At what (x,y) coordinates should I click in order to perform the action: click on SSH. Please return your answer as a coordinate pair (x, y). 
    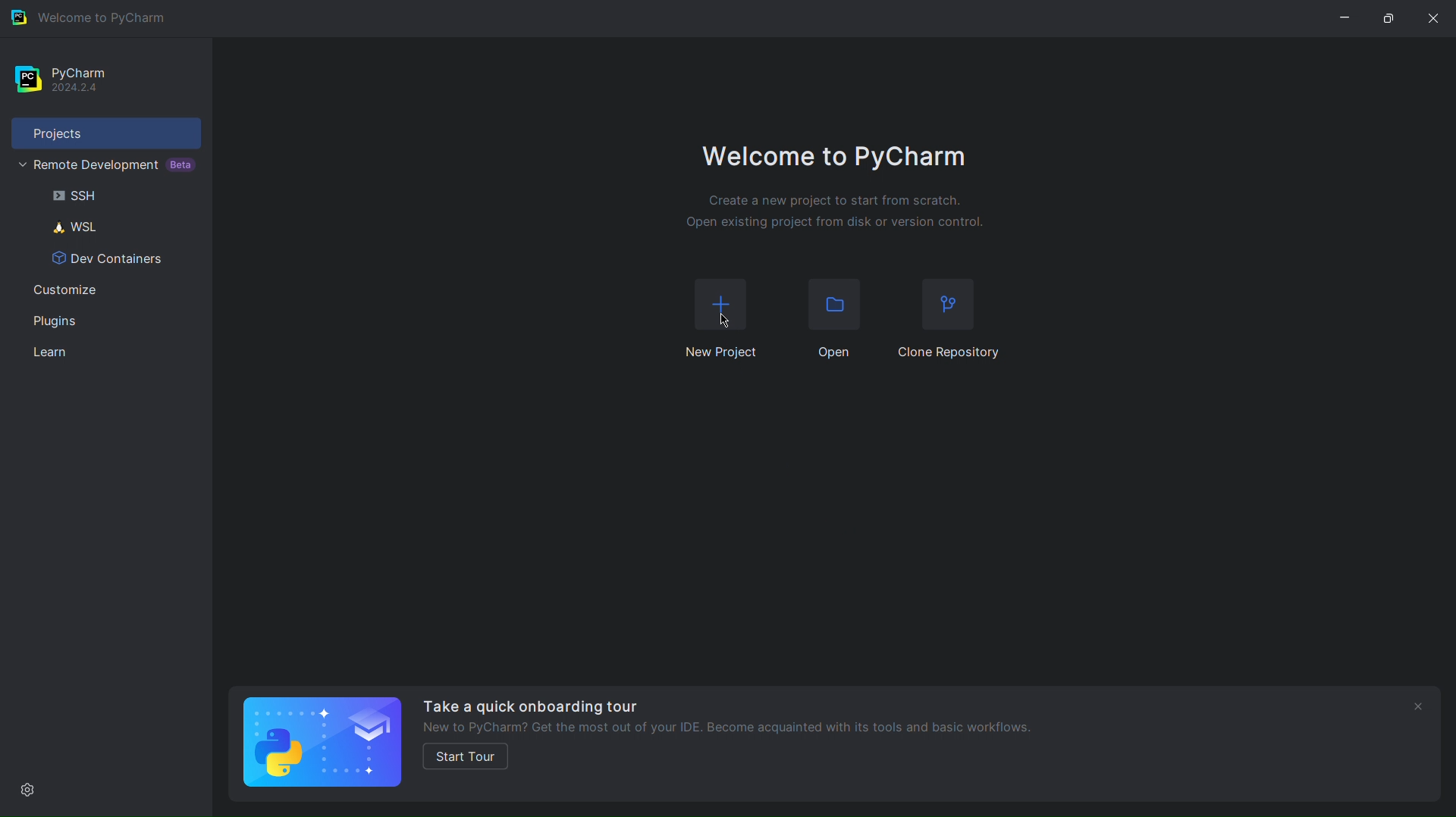
    Looking at the image, I should click on (105, 200).